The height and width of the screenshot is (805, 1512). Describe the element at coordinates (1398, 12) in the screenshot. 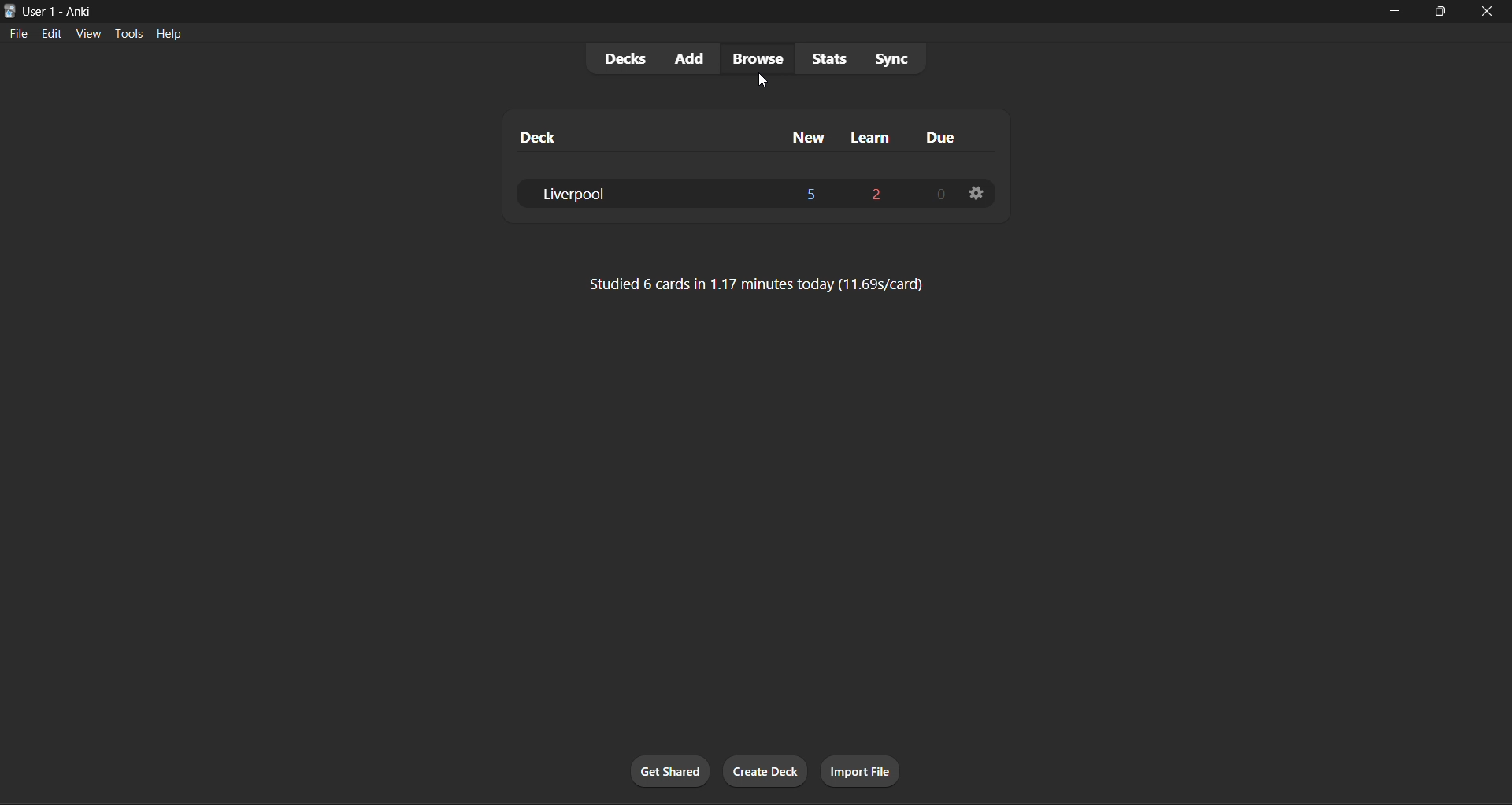

I see `minimize` at that location.